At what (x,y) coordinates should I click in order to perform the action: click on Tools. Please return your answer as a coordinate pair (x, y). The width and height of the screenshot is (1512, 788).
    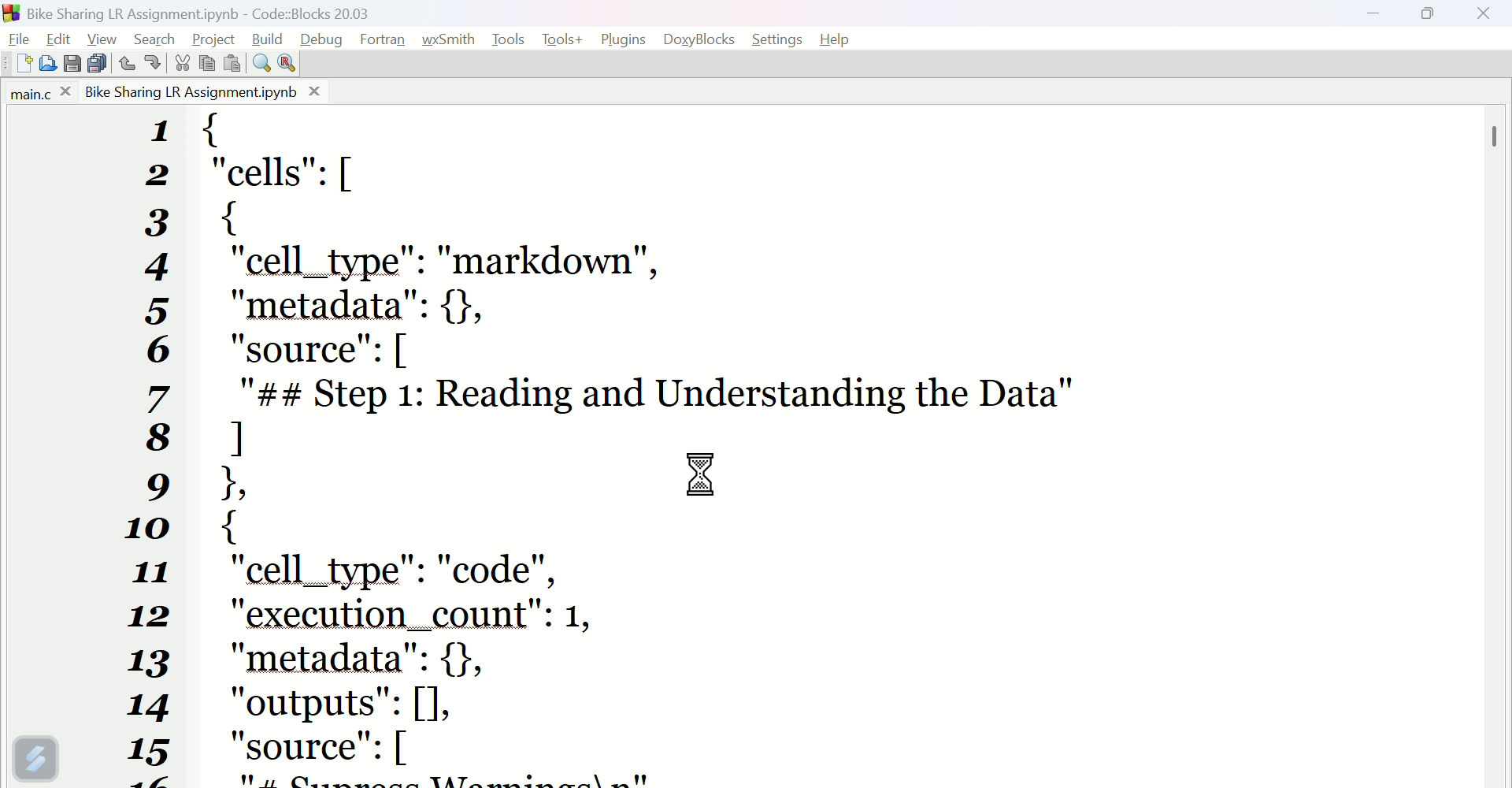
    Looking at the image, I should click on (561, 39).